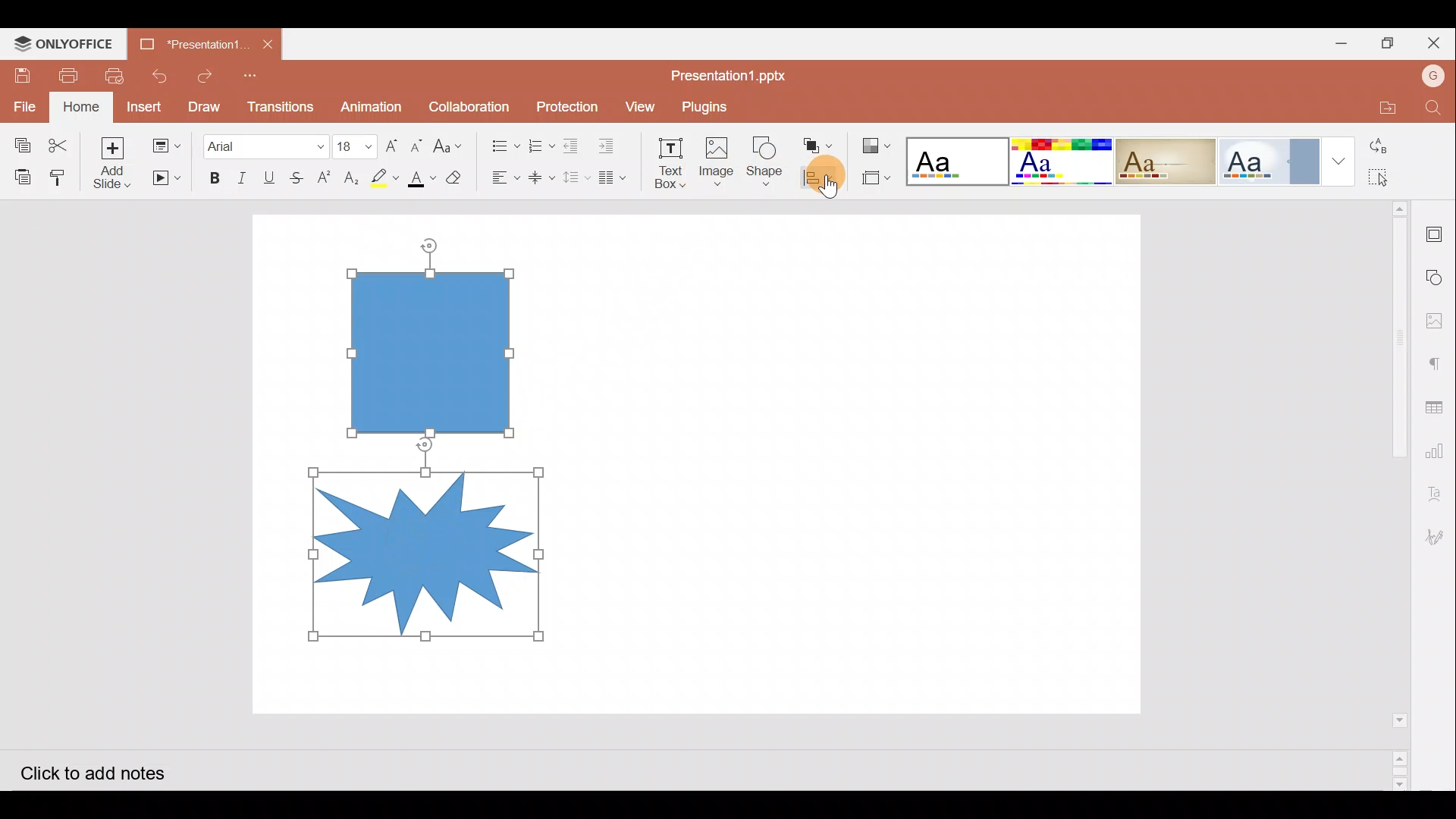 Image resolution: width=1456 pixels, height=819 pixels. I want to click on Plugins, so click(715, 104).